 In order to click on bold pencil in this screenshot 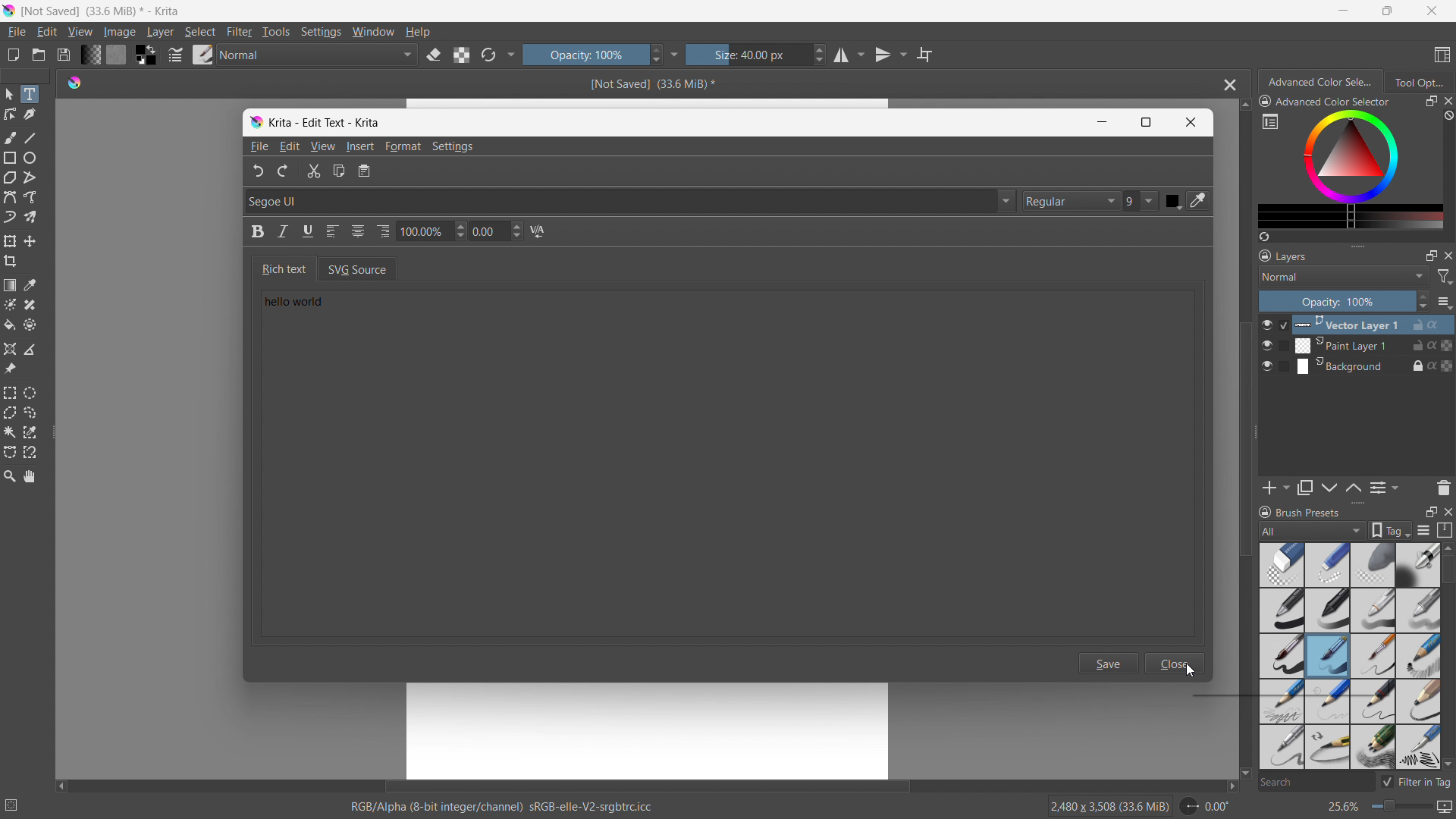, I will do `click(1420, 702)`.